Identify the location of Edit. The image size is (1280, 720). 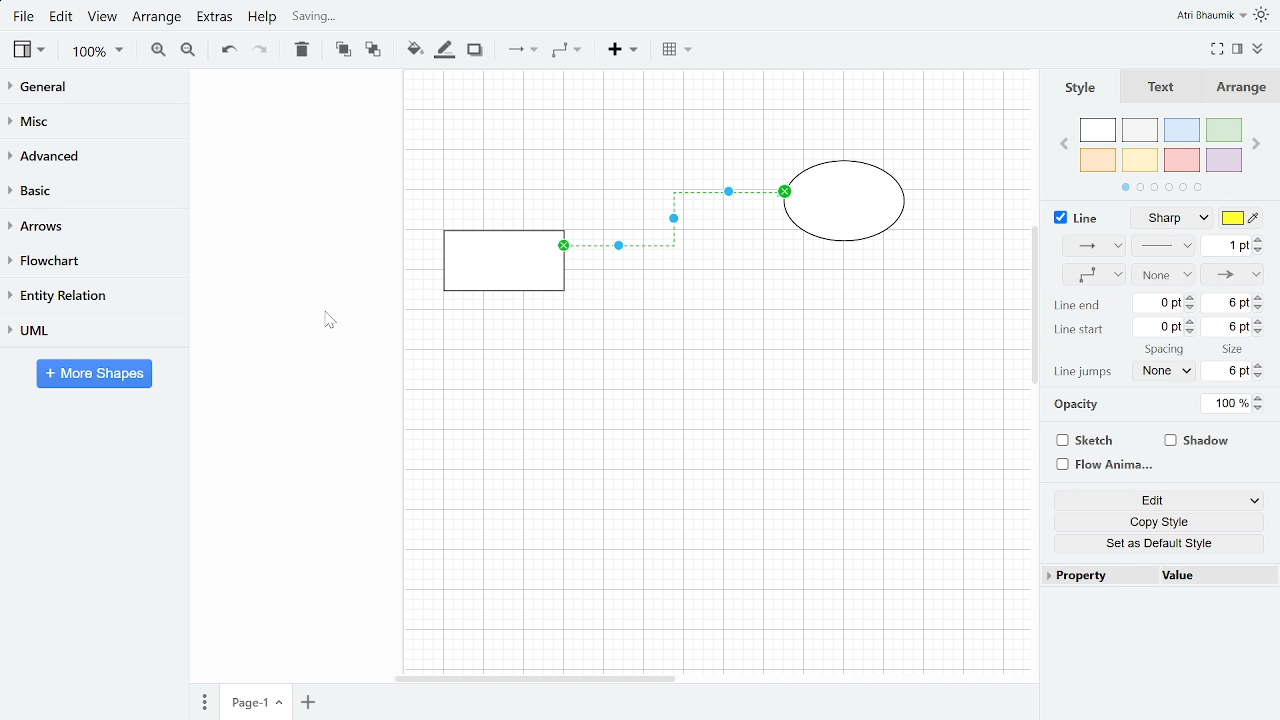
(1152, 499).